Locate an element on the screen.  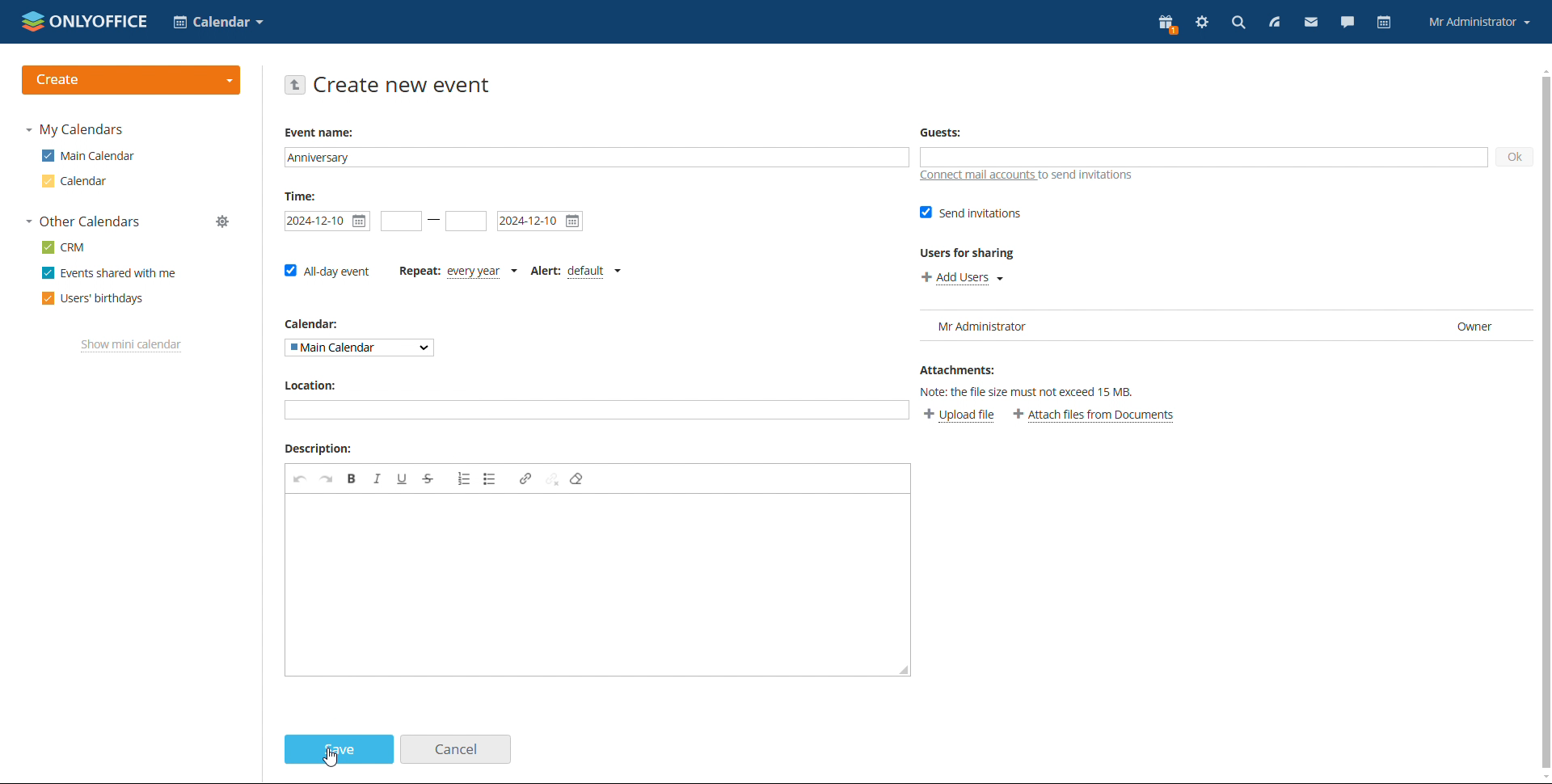
set alert is located at coordinates (563, 272).